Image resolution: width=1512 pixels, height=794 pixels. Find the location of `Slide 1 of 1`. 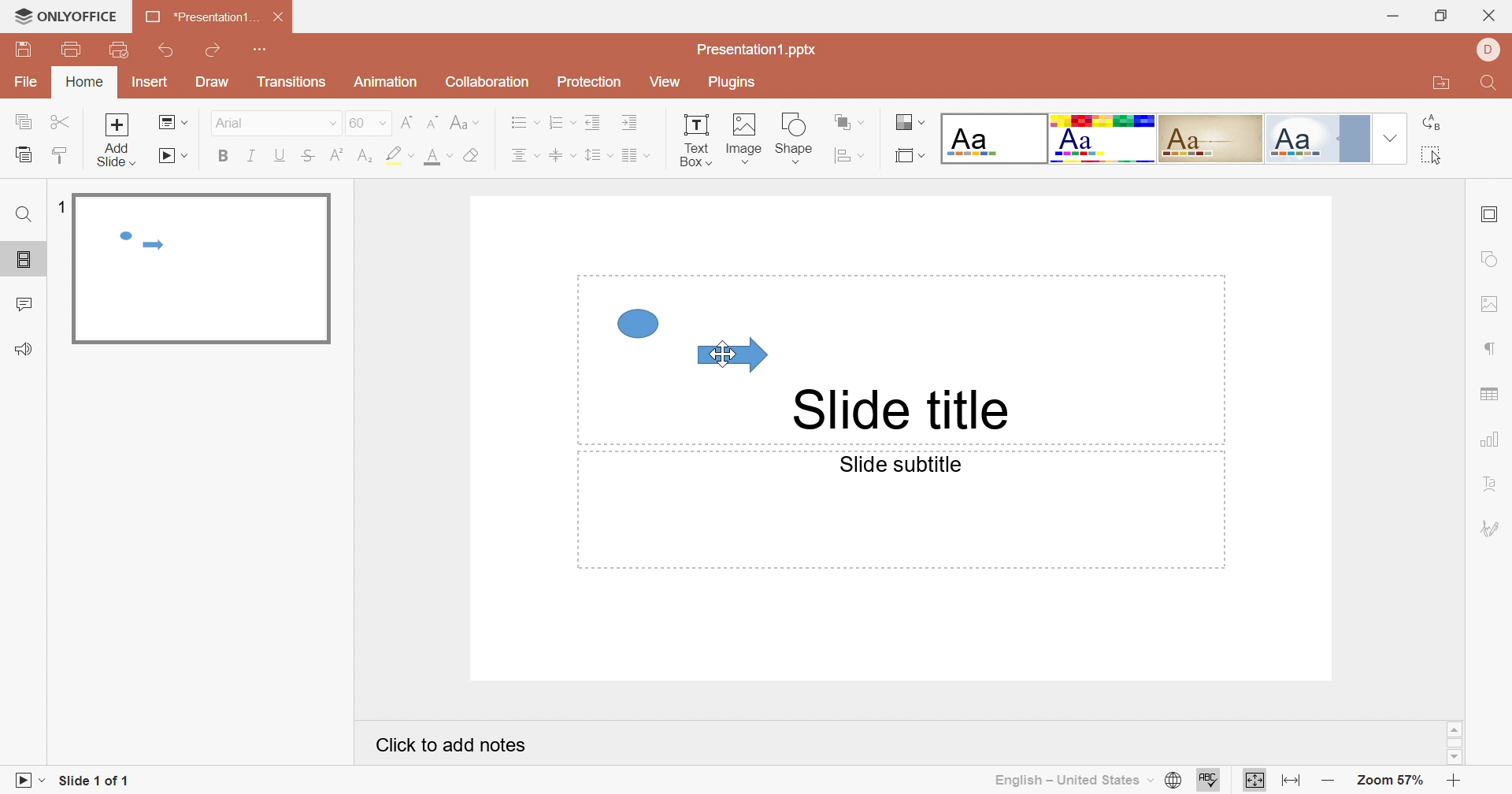

Slide 1 of 1 is located at coordinates (98, 781).